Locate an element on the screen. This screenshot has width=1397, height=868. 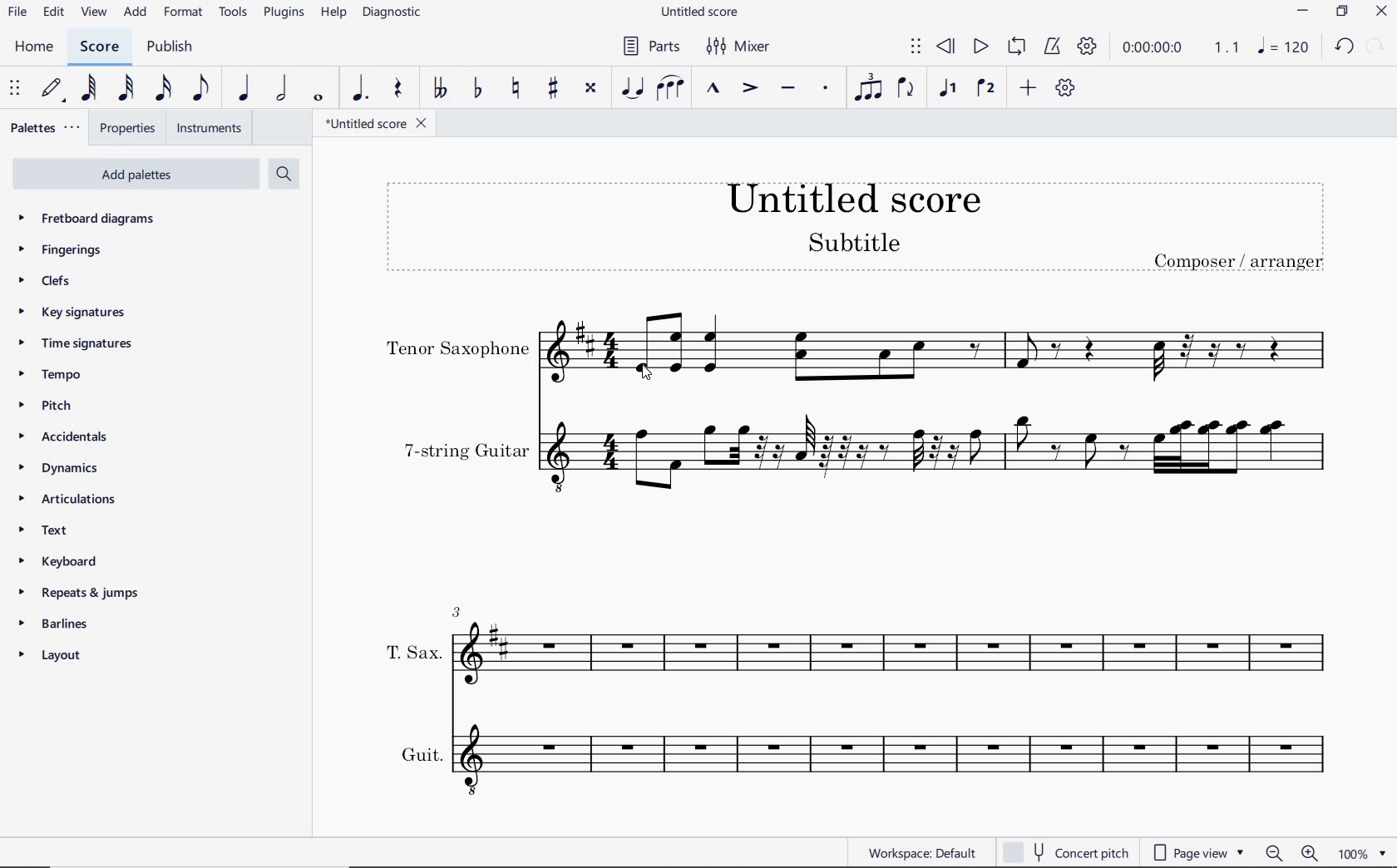
PALETTES is located at coordinates (44, 126).